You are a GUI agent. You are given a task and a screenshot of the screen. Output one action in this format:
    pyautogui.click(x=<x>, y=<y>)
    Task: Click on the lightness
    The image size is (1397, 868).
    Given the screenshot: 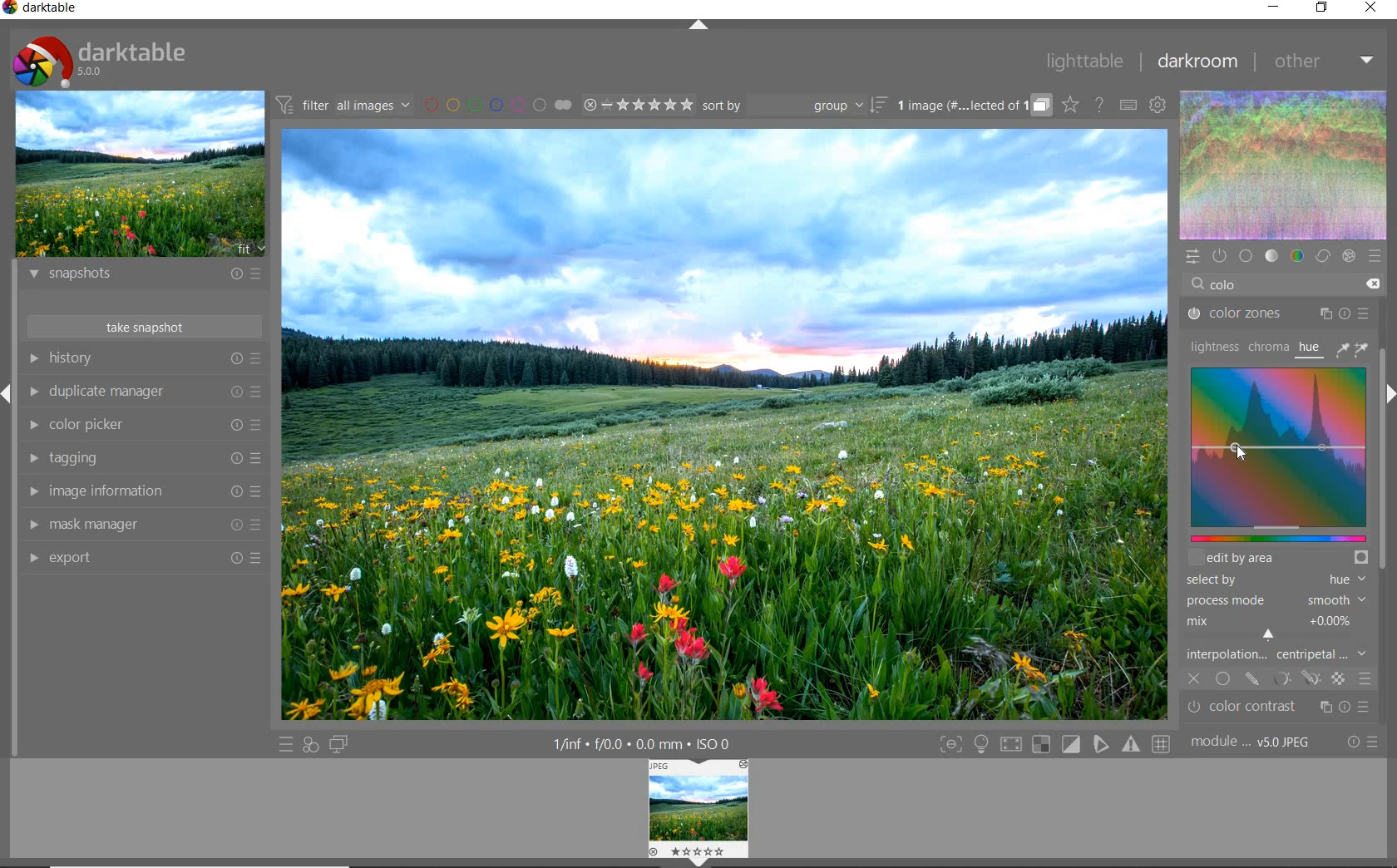 What is the action you would take?
    pyautogui.click(x=1214, y=346)
    